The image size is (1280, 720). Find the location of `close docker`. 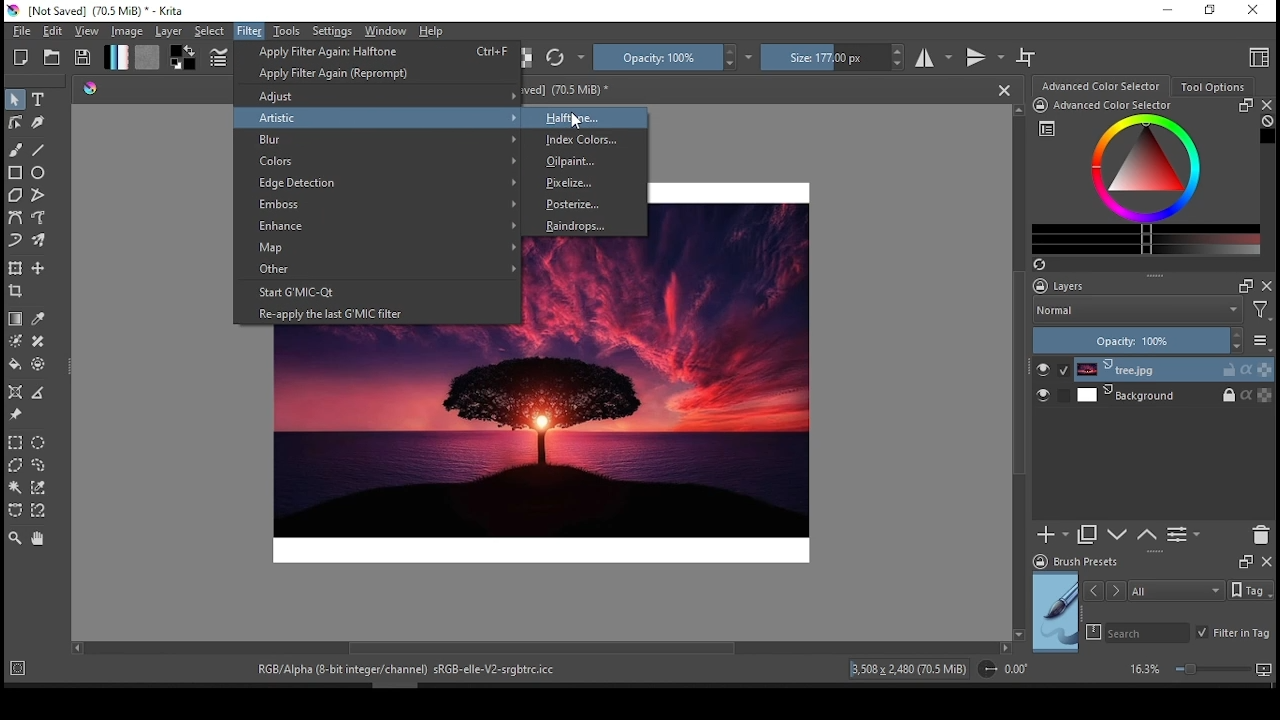

close docker is located at coordinates (1267, 103).